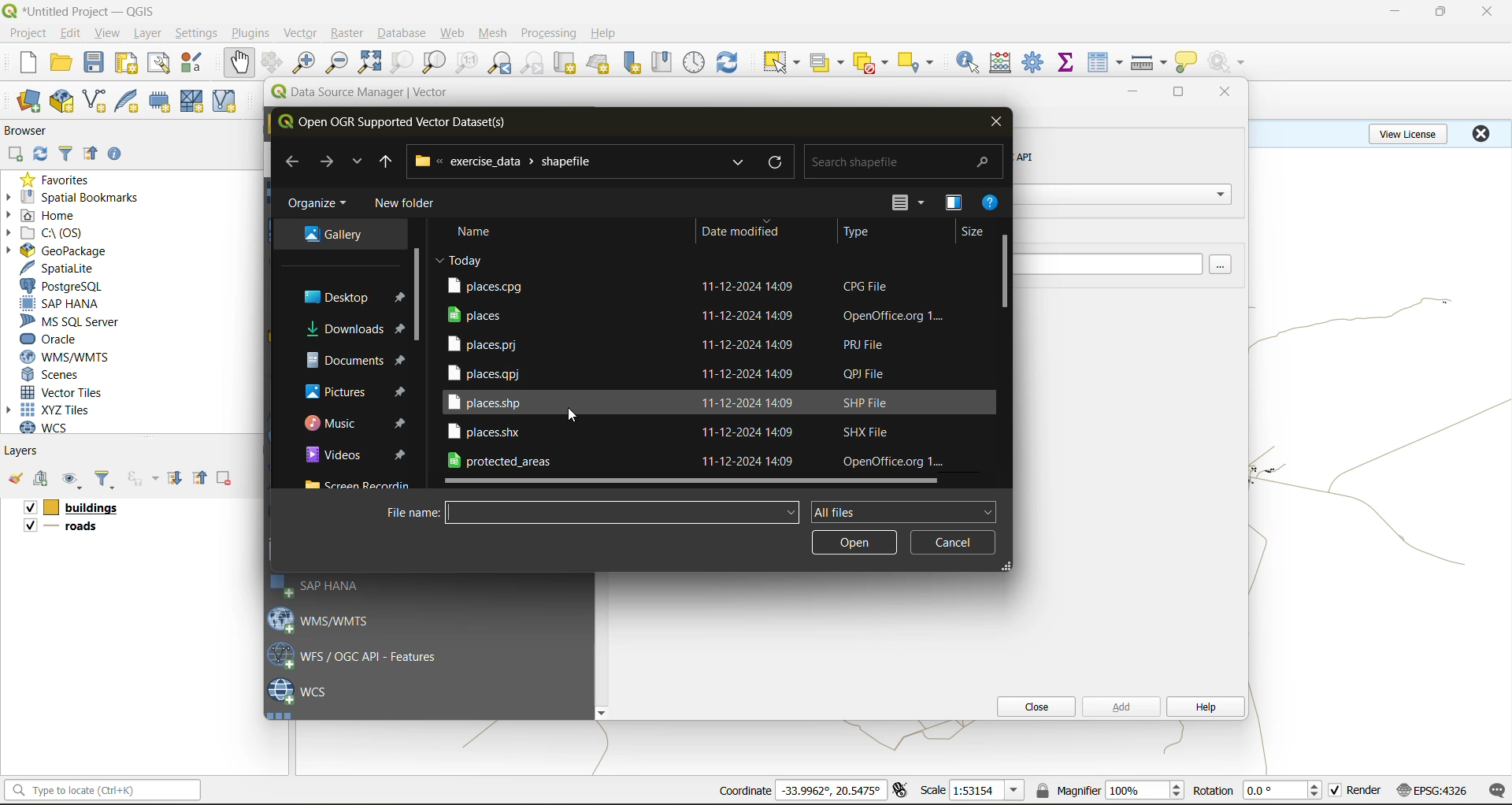 The height and width of the screenshot is (805, 1512). I want to click on geopackage, so click(57, 250).